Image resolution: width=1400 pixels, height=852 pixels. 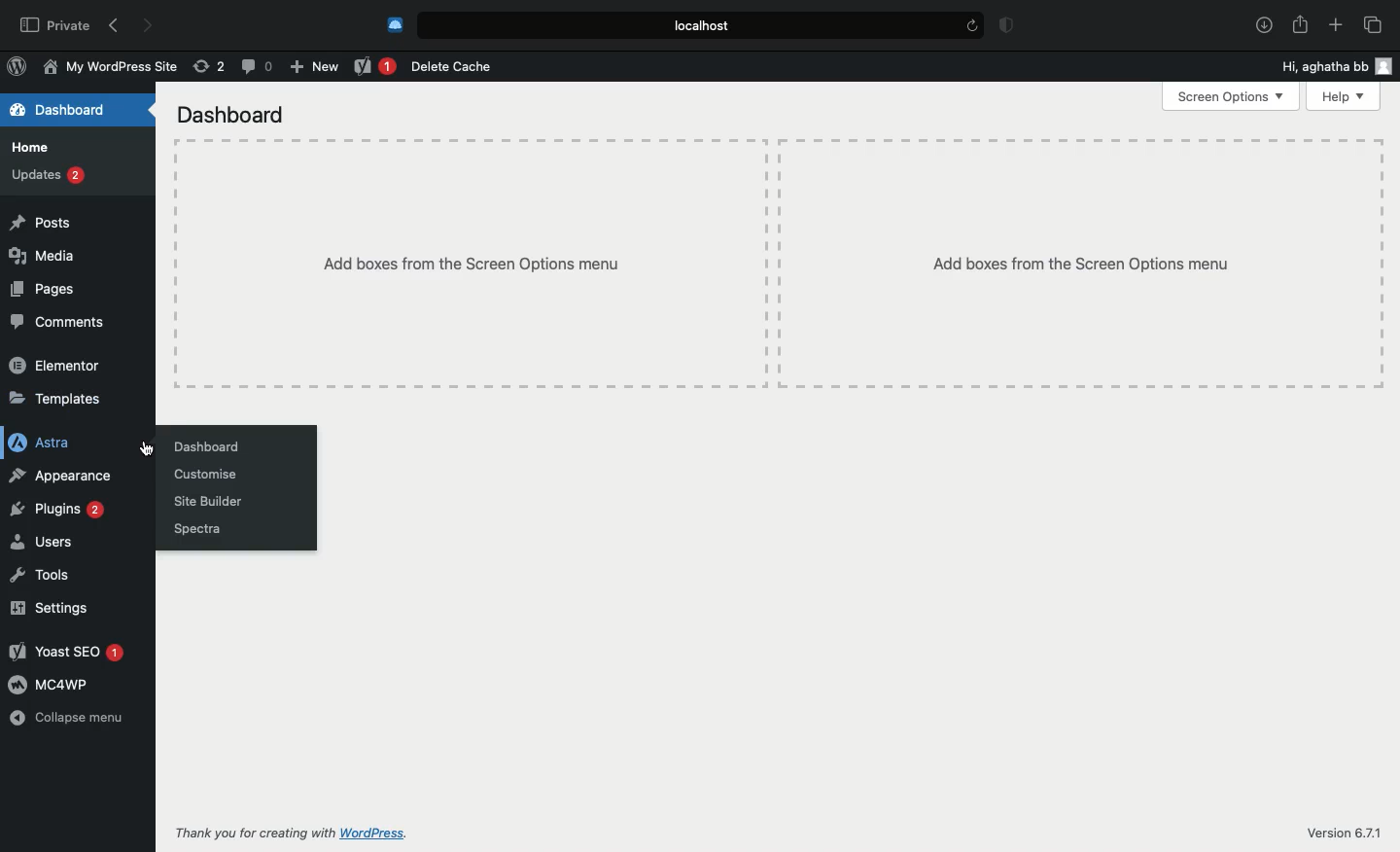 What do you see at coordinates (430, 832) in the screenshot?
I see `WordPress` at bounding box center [430, 832].